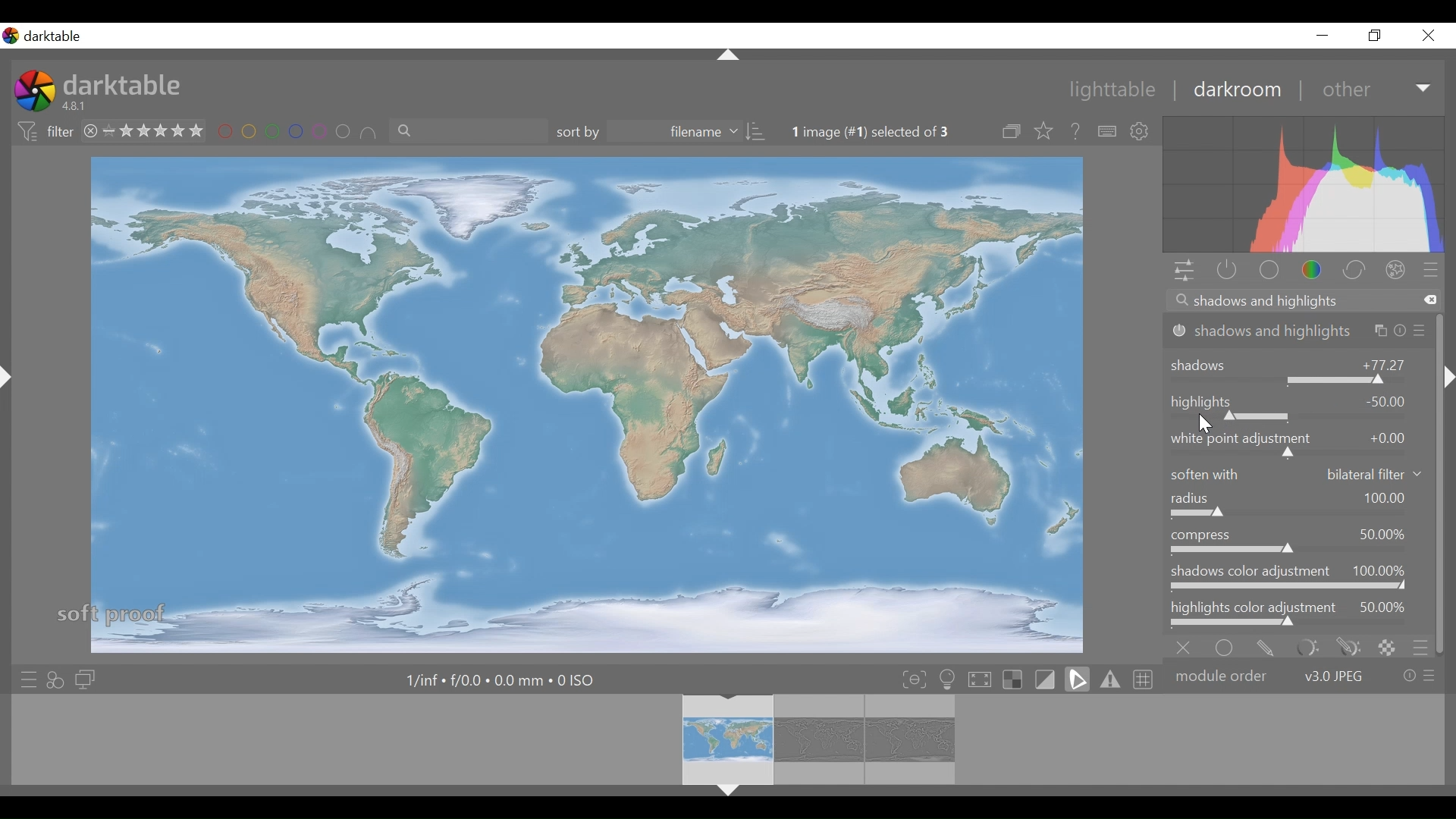 The width and height of the screenshot is (1456, 819). I want to click on image selected out of, so click(884, 132).